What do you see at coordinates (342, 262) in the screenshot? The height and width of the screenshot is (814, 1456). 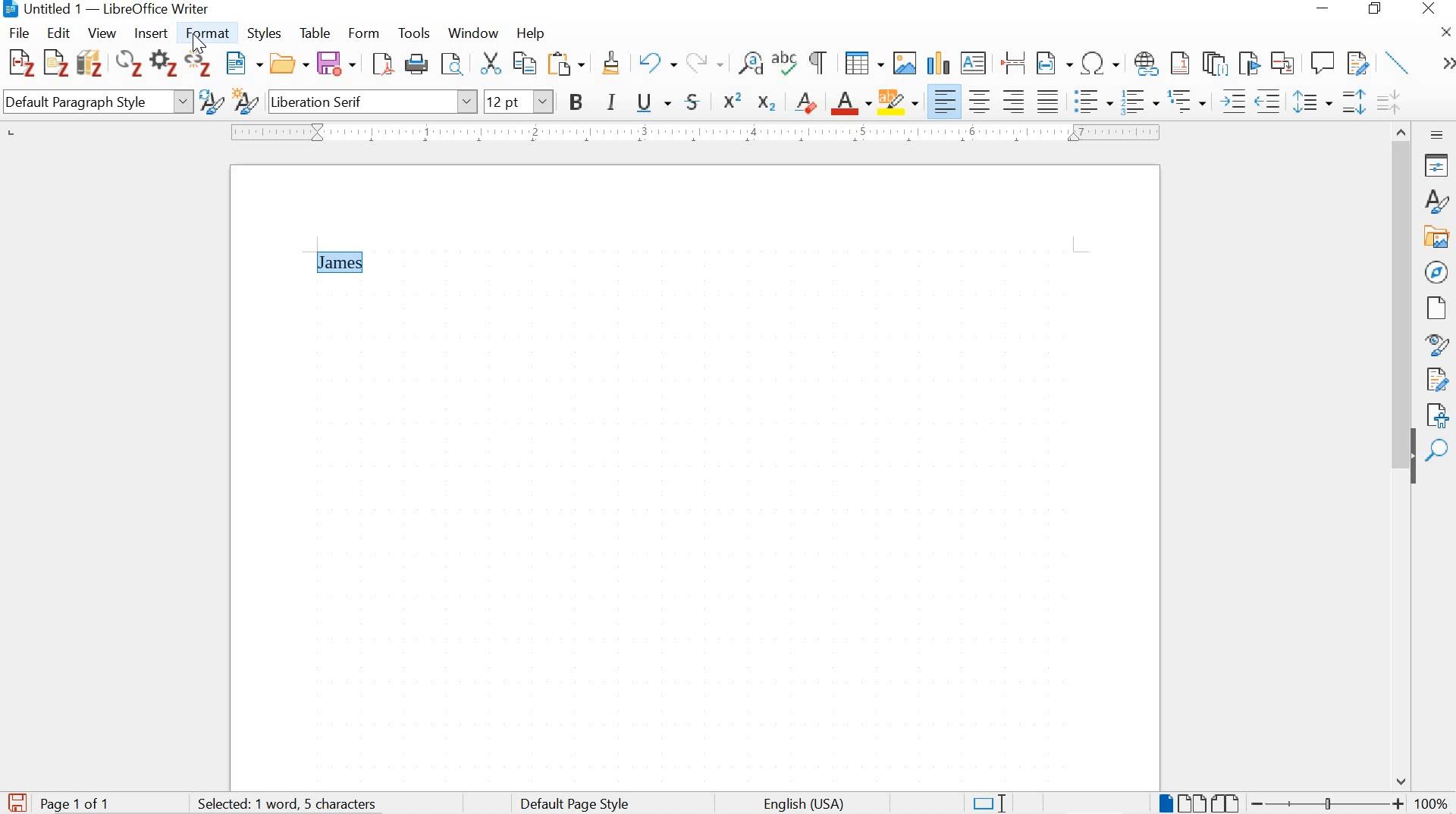 I see `"James" highlighted` at bounding box center [342, 262].